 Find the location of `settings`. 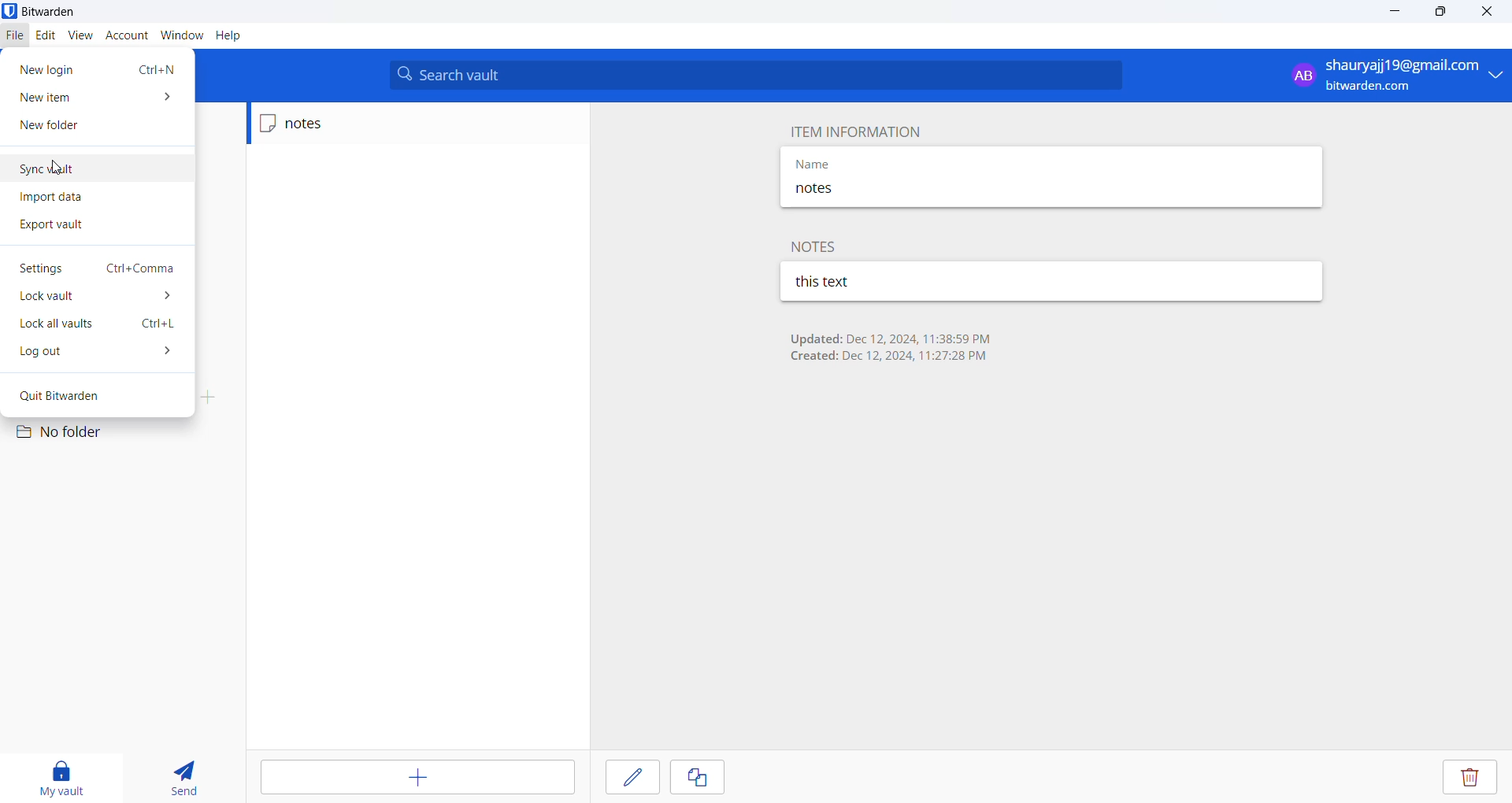

settings is located at coordinates (100, 269).